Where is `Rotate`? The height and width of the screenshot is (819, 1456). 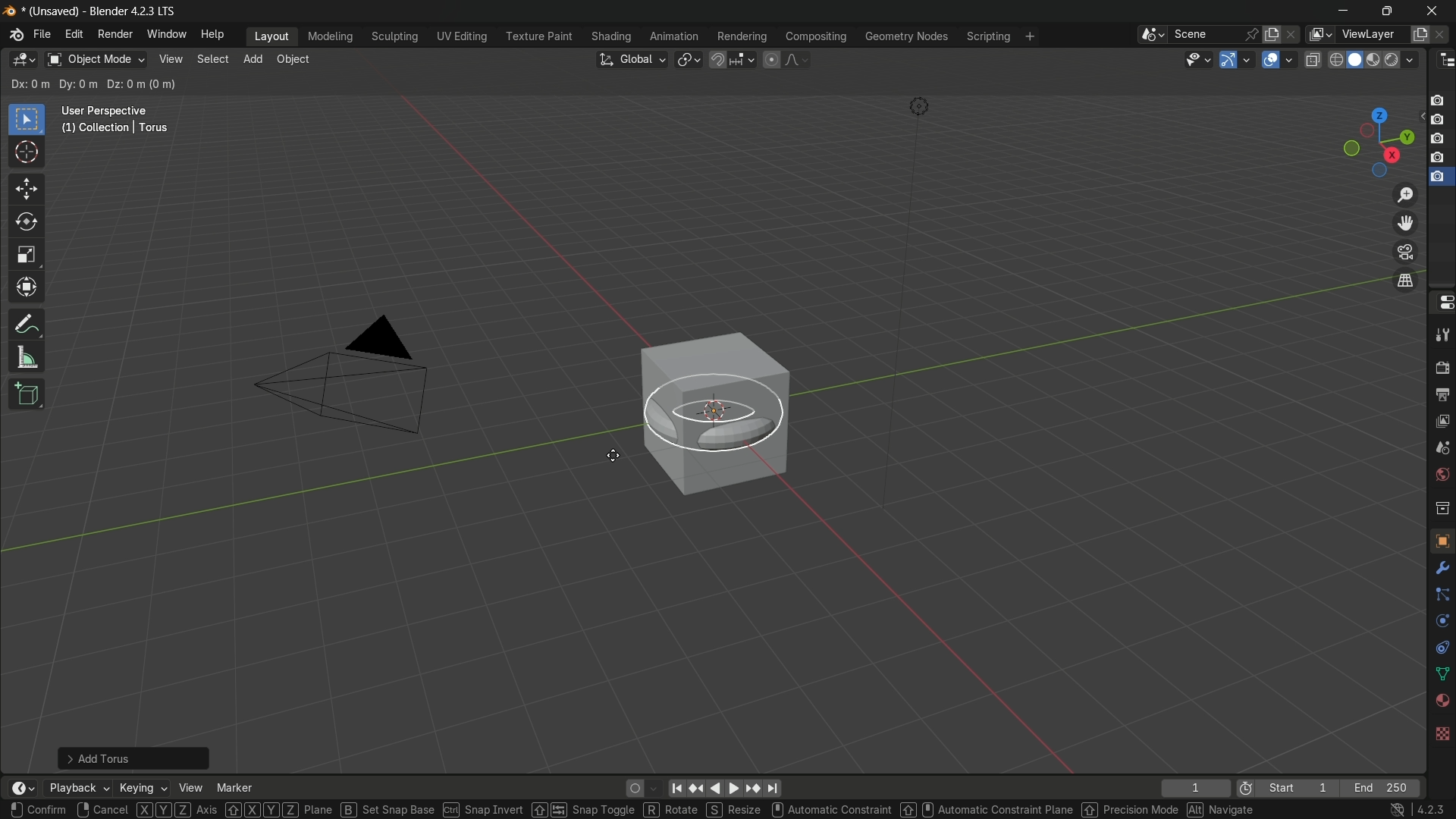 Rotate is located at coordinates (670, 809).